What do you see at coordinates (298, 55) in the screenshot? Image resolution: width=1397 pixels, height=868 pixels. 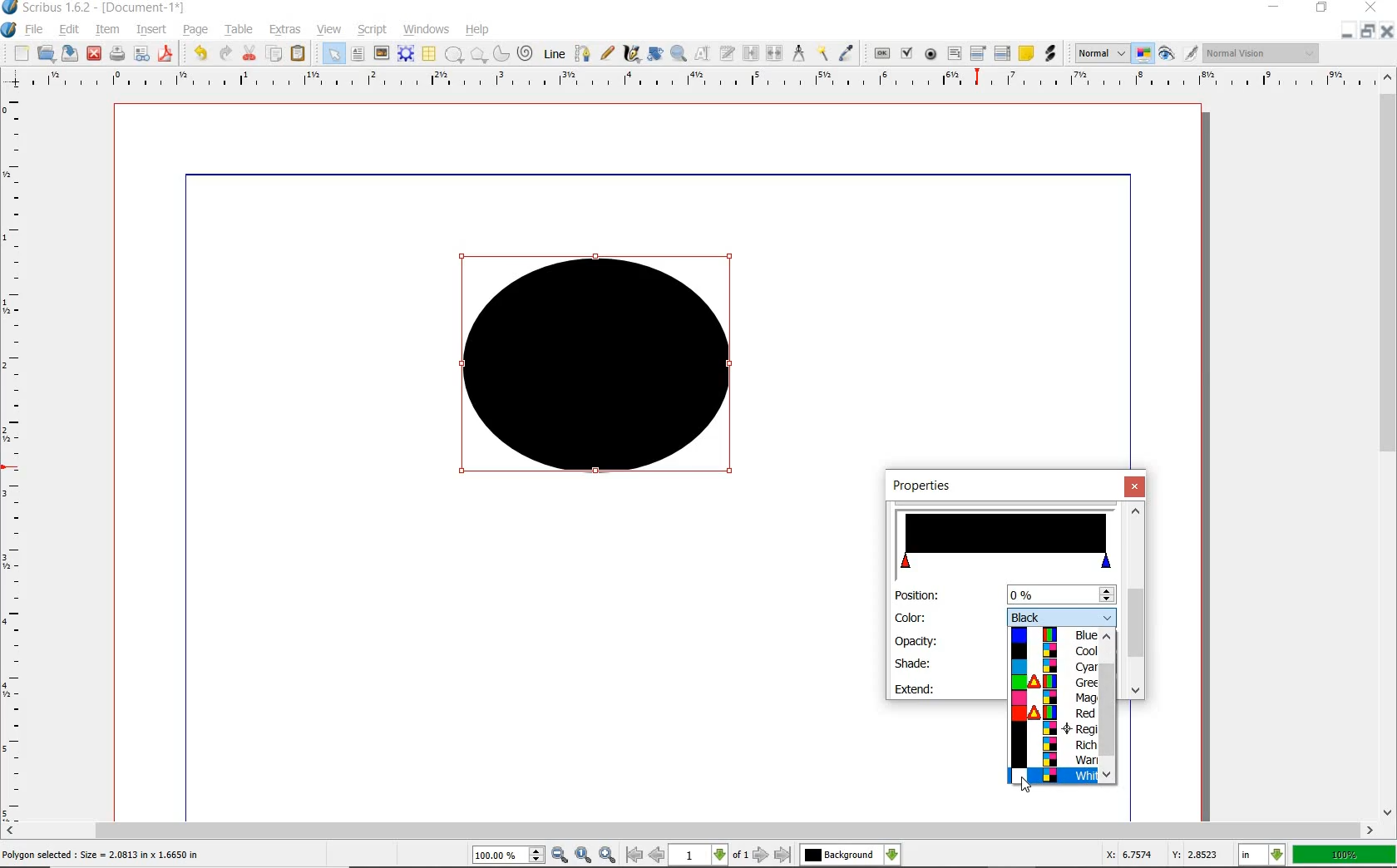 I see `PASTE` at bounding box center [298, 55].